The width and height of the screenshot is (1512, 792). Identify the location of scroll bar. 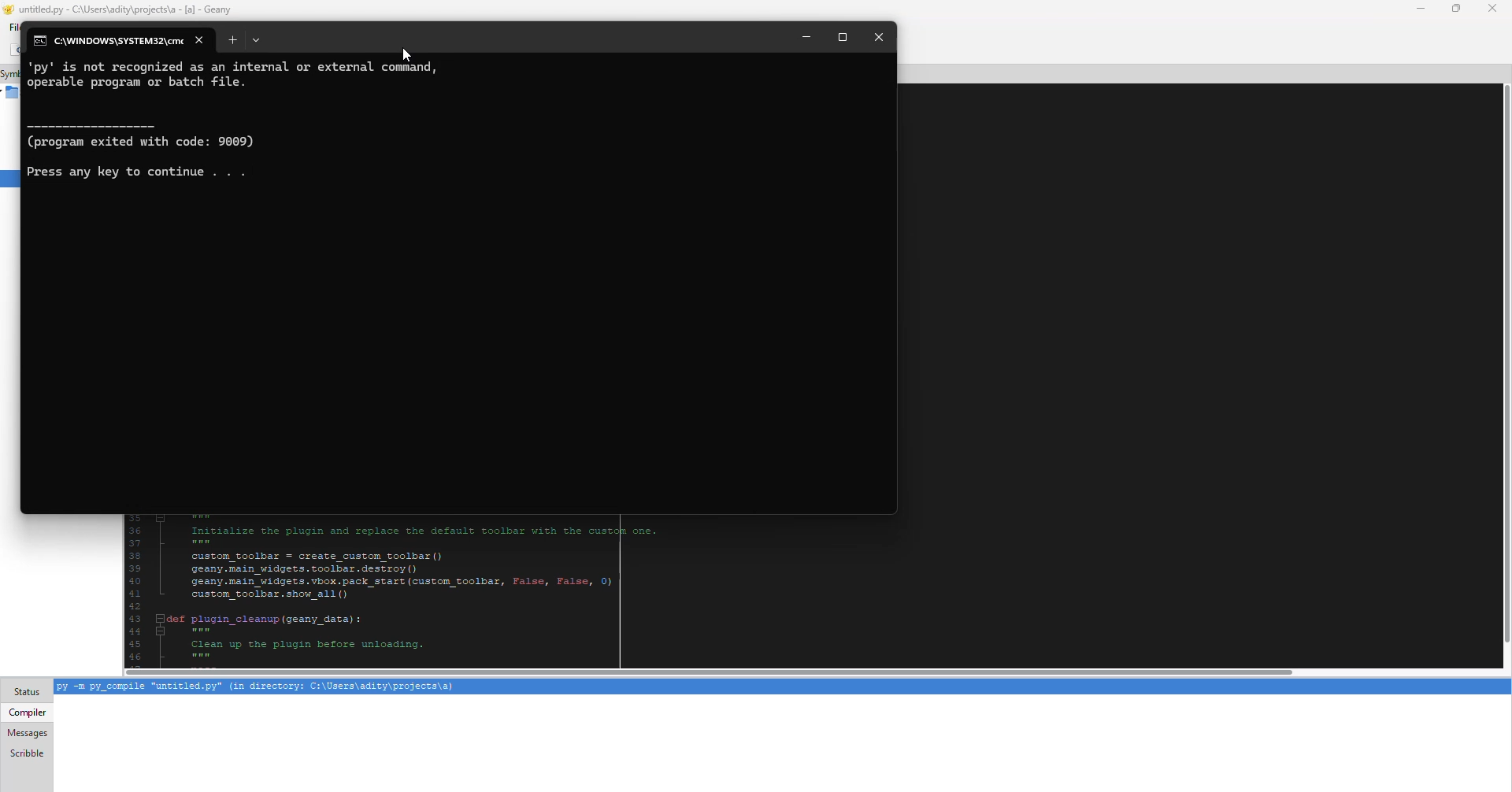
(702, 672).